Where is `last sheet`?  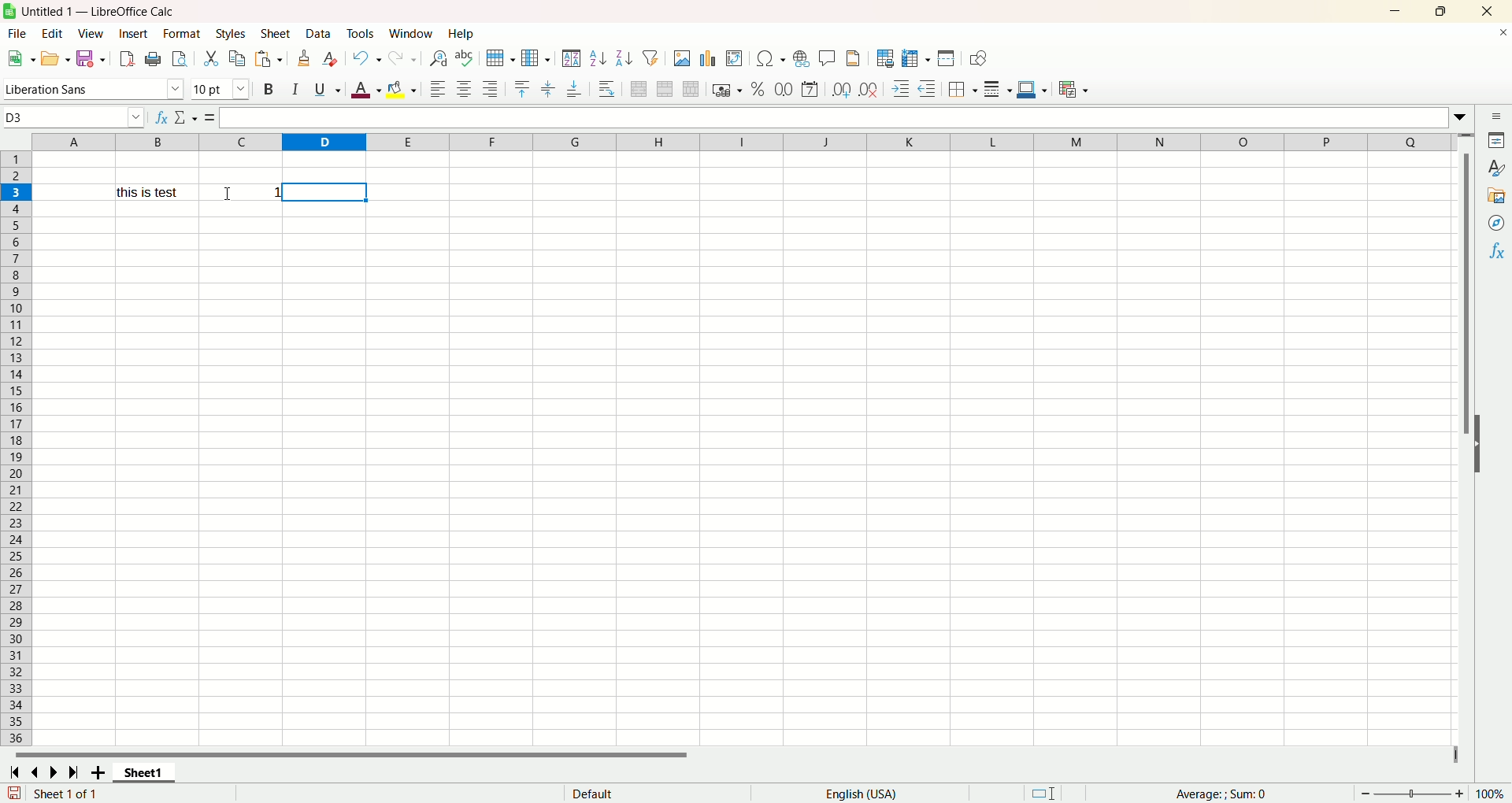
last sheet is located at coordinates (73, 772).